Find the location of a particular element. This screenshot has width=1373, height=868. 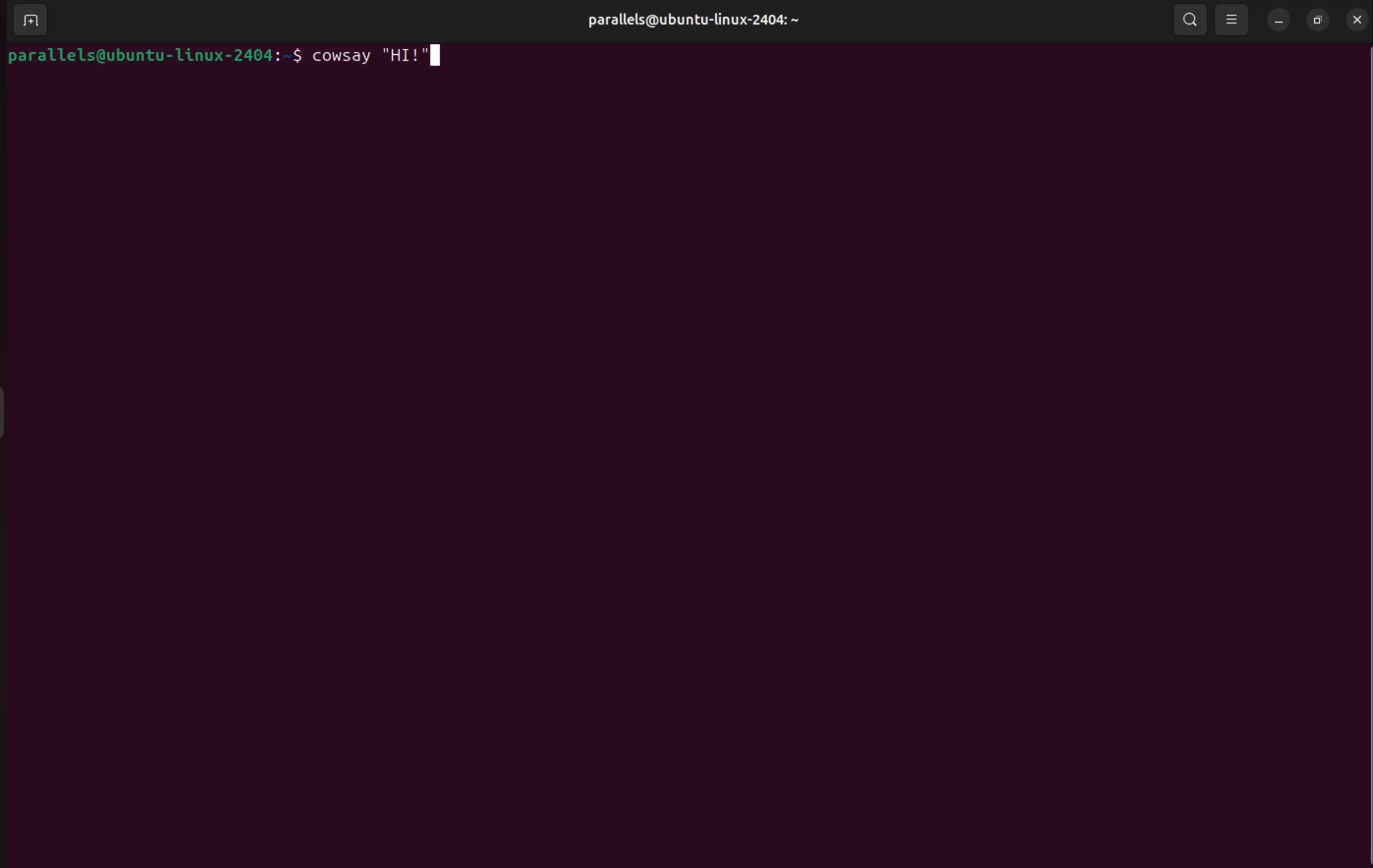

bash prompt is located at coordinates (155, 57).